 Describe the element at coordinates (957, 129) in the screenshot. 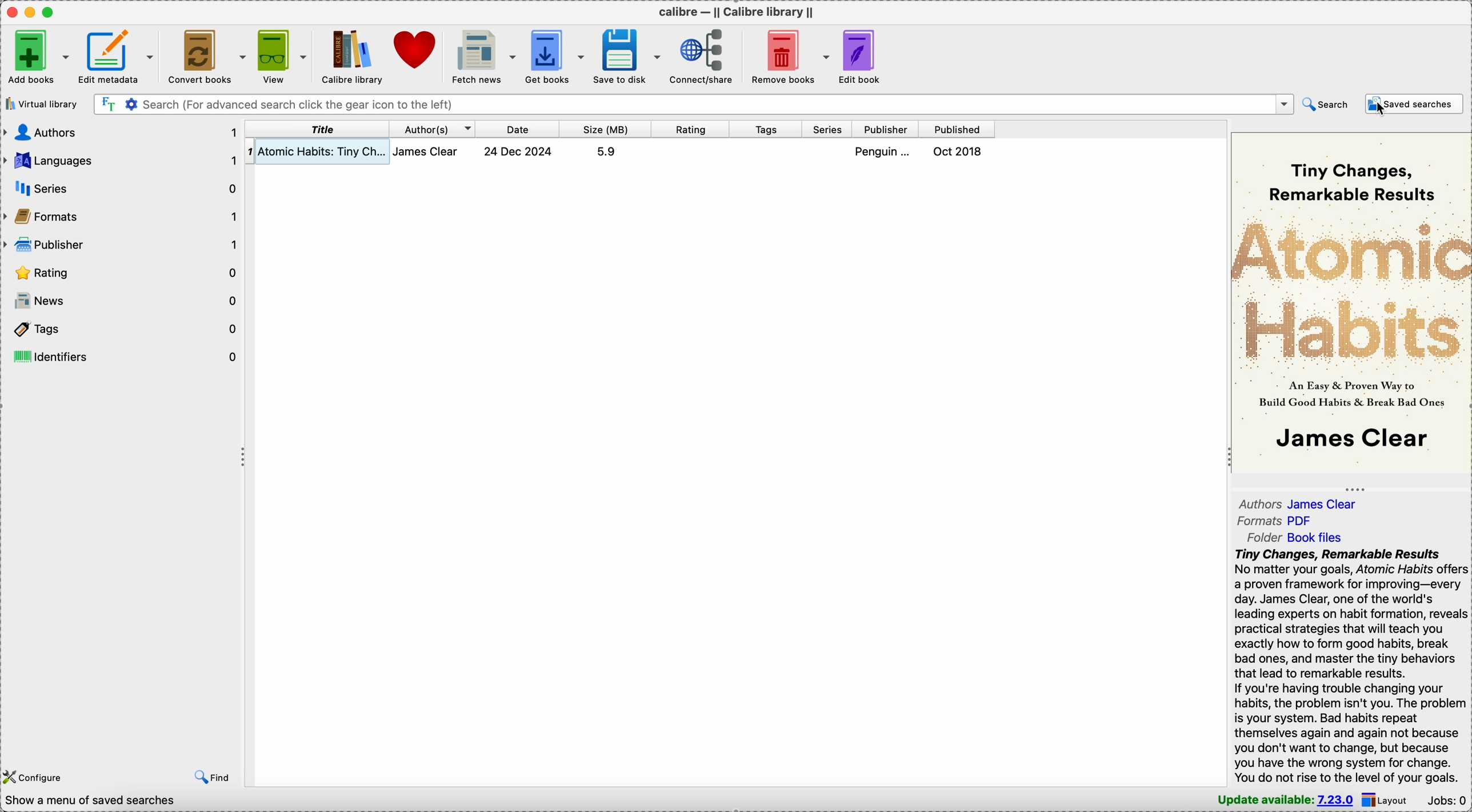

I see `published` at that location.